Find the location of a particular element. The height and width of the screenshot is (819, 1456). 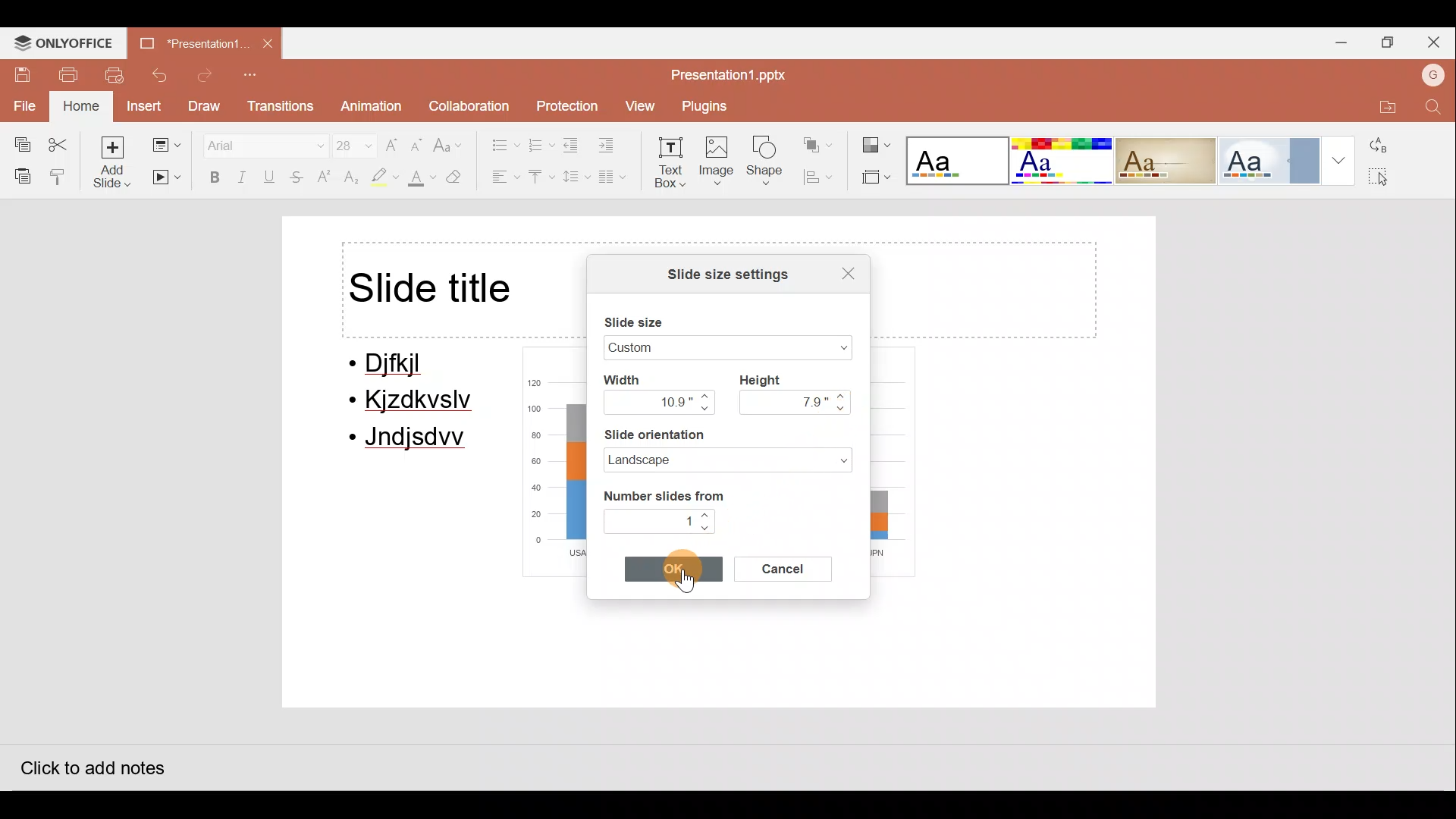

Maximize is located at coordinates (1388, 43).